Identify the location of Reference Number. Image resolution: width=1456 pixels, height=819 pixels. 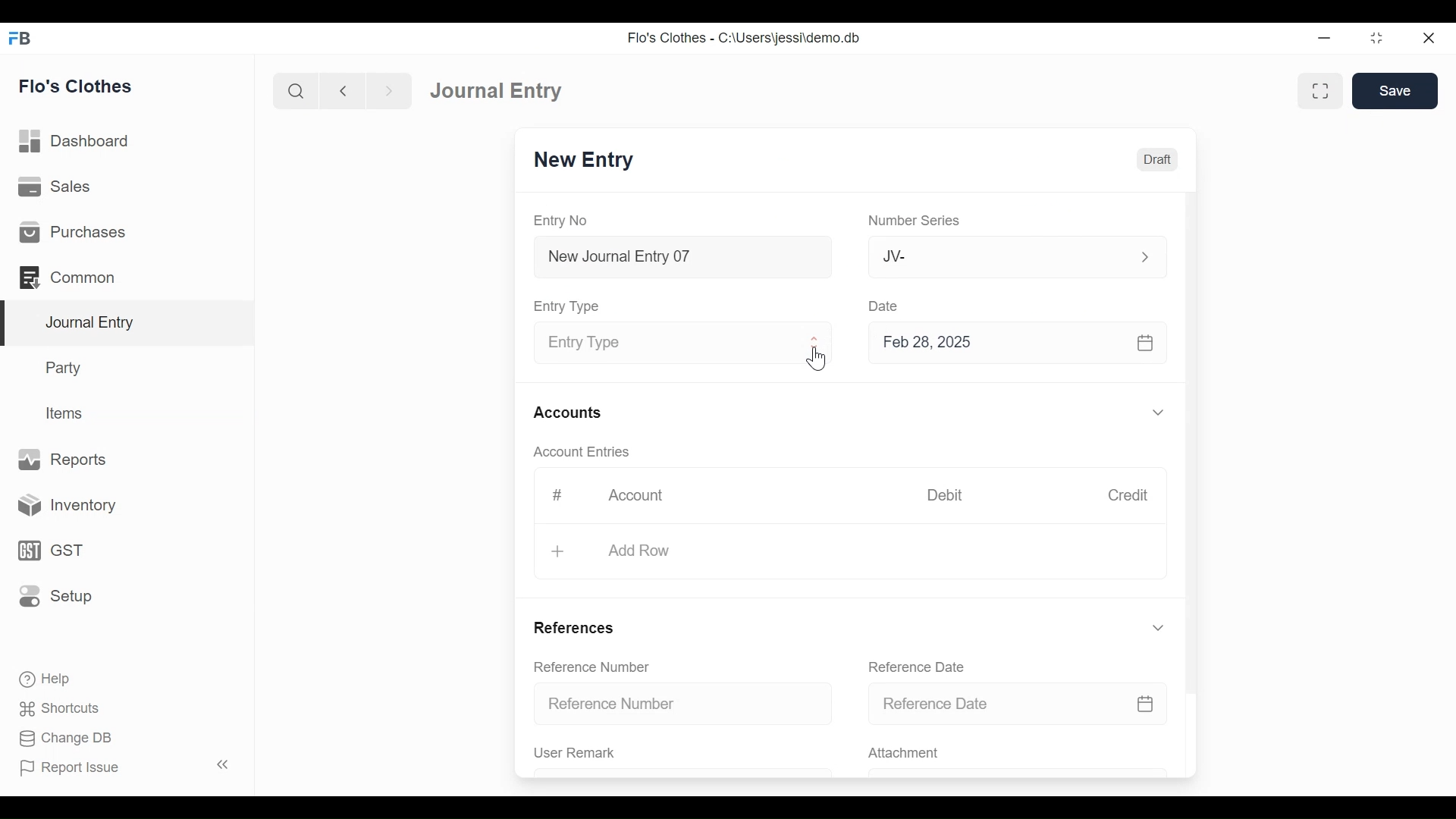
(593, 668).